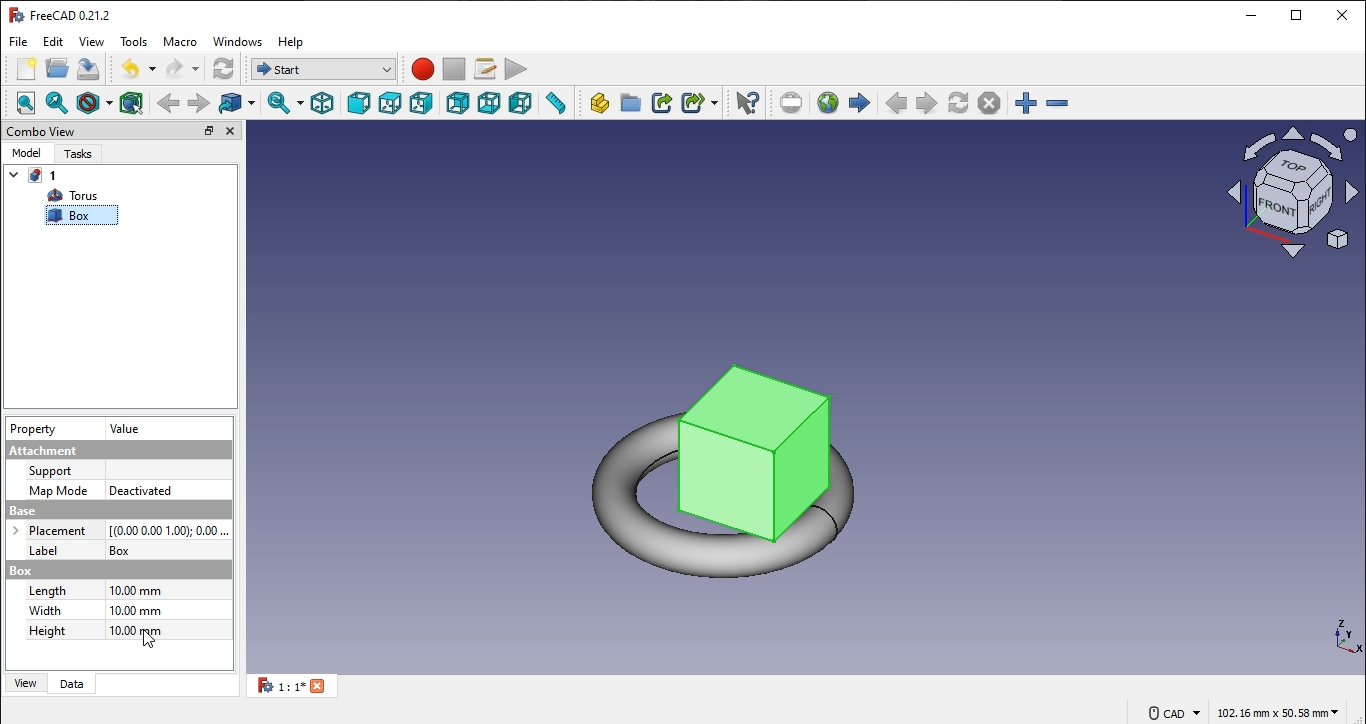  What do you see at coordinates (230, 131) in the screenshot?
I see `close` at bounding box center [230, 131].